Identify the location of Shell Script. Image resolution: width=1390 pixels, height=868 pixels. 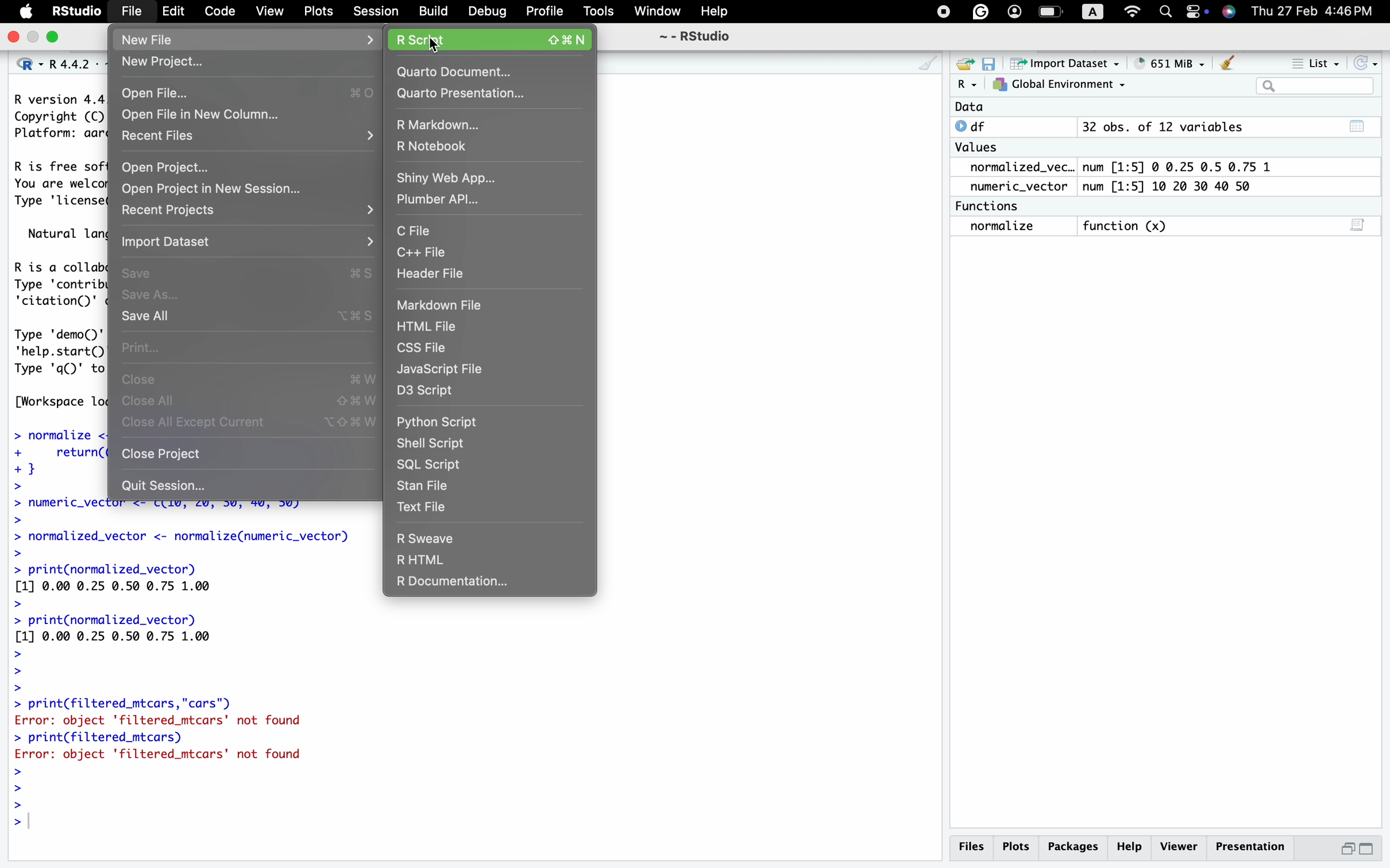
(441, 442).